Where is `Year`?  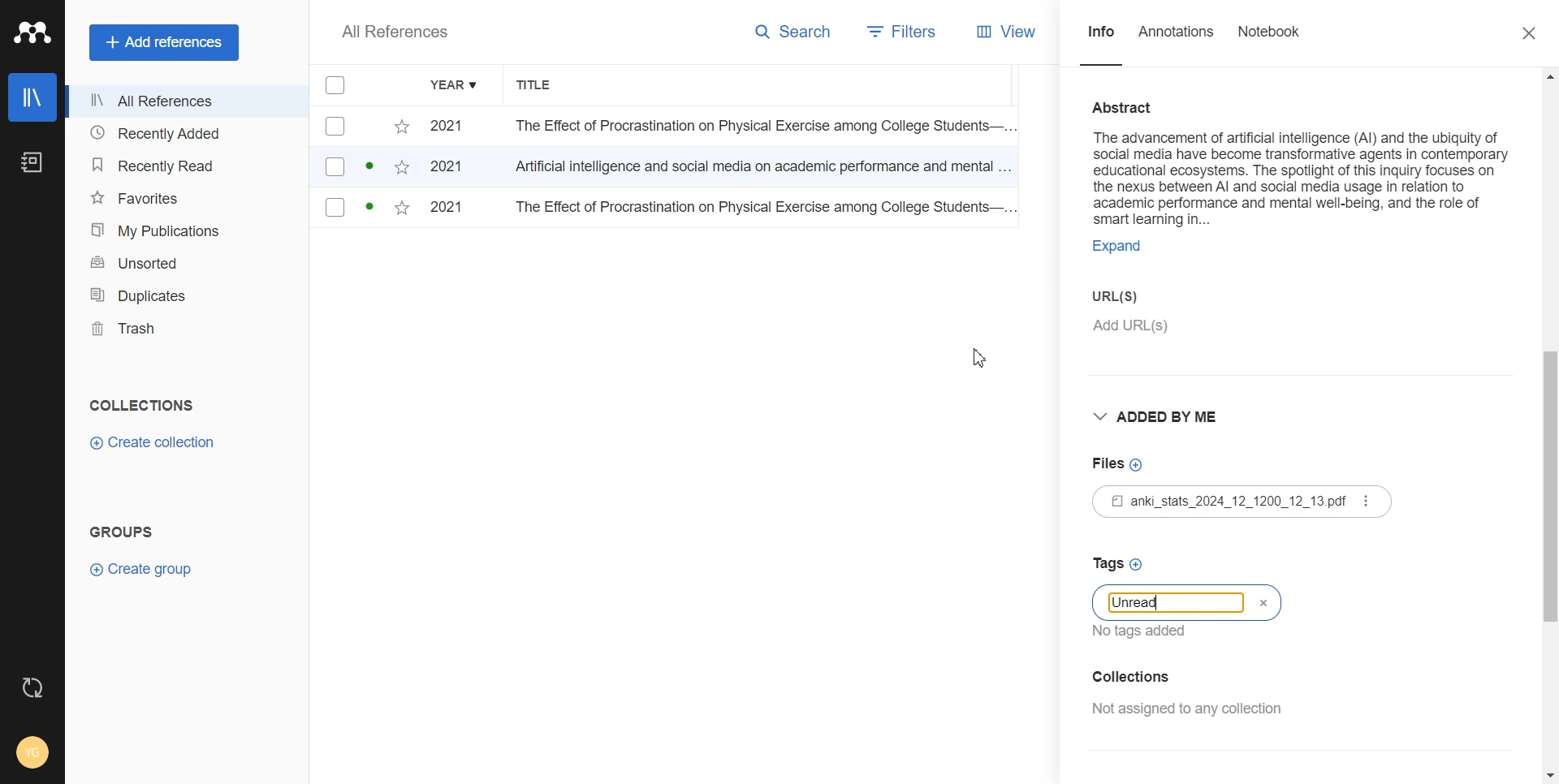 Year is located at coordinates (456, 86).